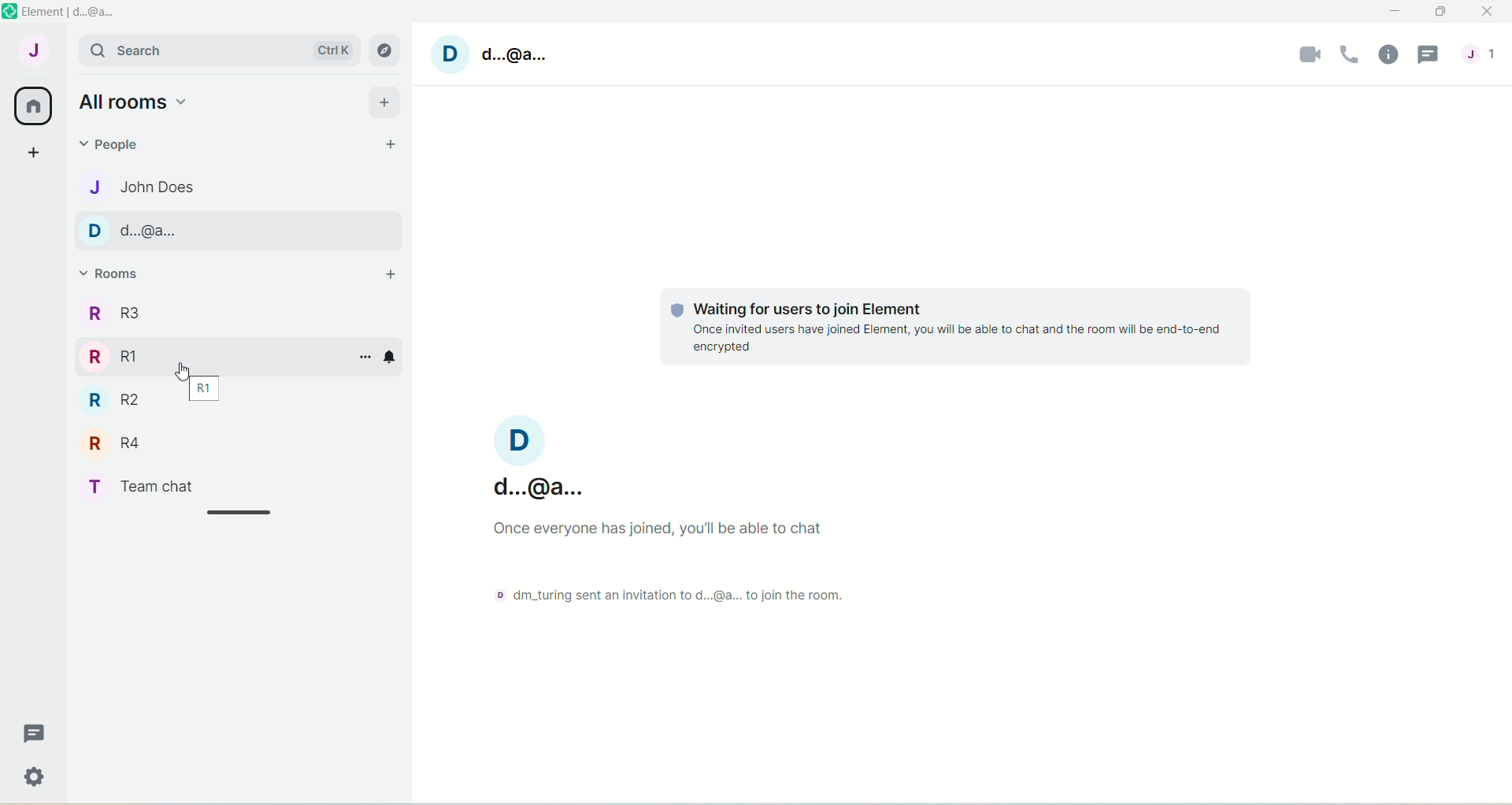  Describe the element at coordinates (162, 52) in the screenshot. I see `search bar` at that location.